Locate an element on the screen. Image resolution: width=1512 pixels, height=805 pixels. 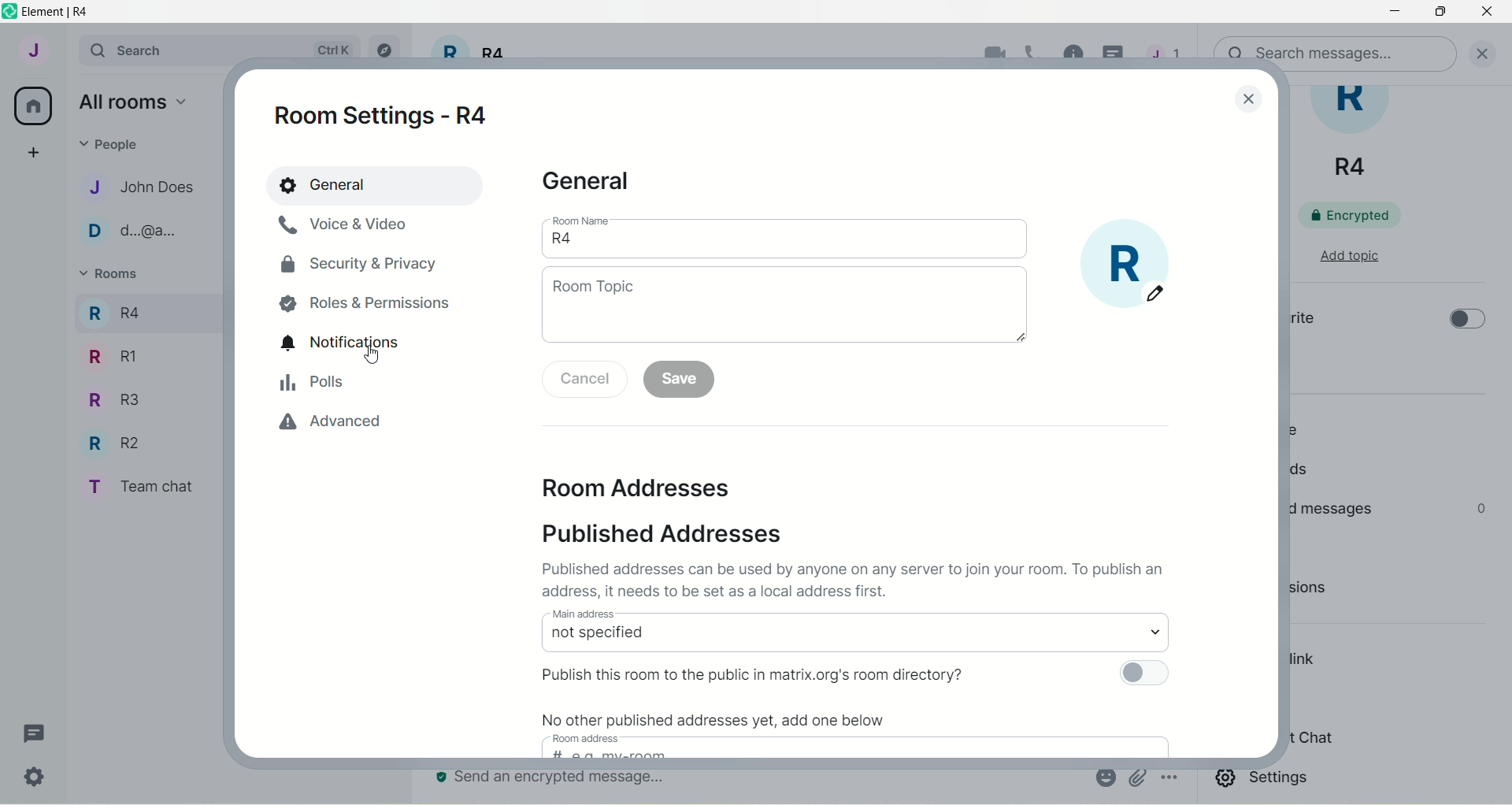
add topic is located at coordinates (1349, 254).